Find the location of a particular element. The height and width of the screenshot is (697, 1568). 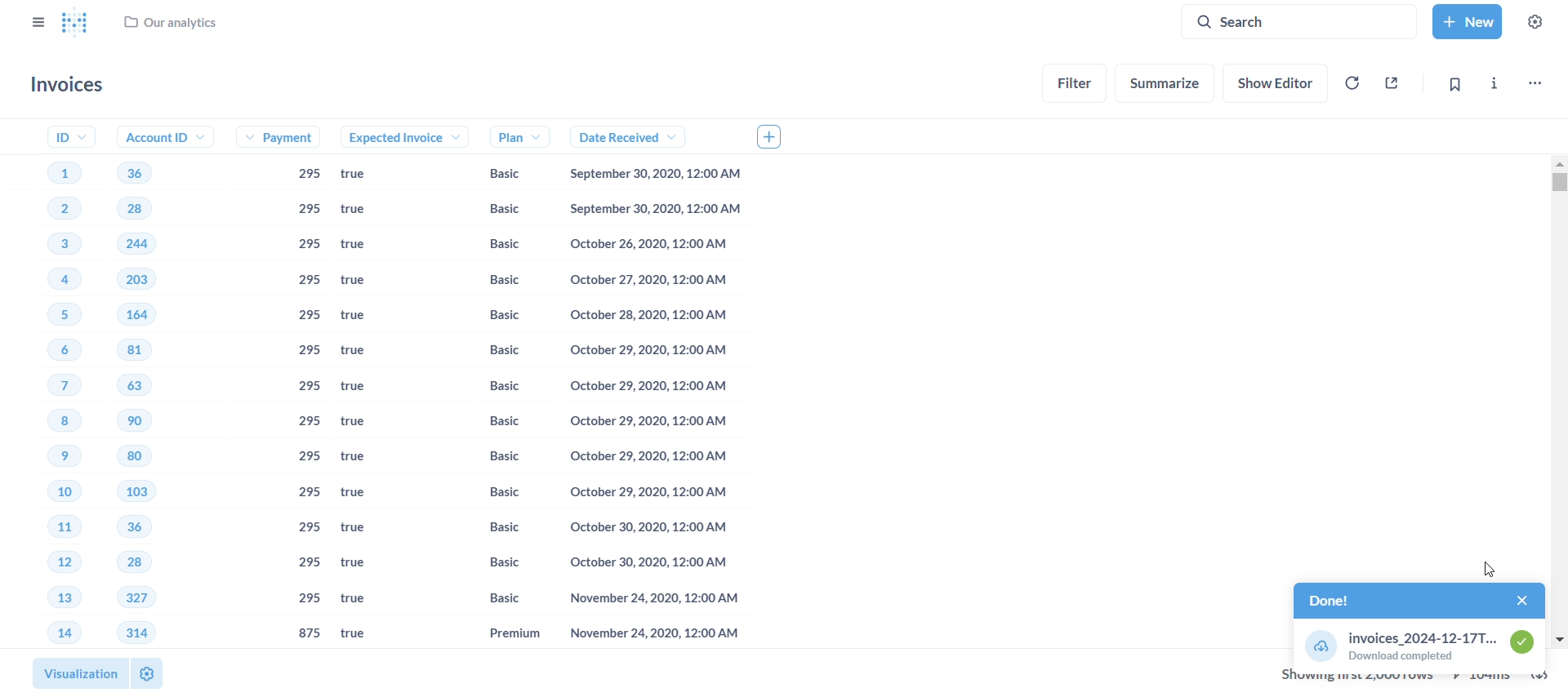

invoices_2024-12-17T DOWNLOAD COMPLETED is located at coordinates (1419, 645).